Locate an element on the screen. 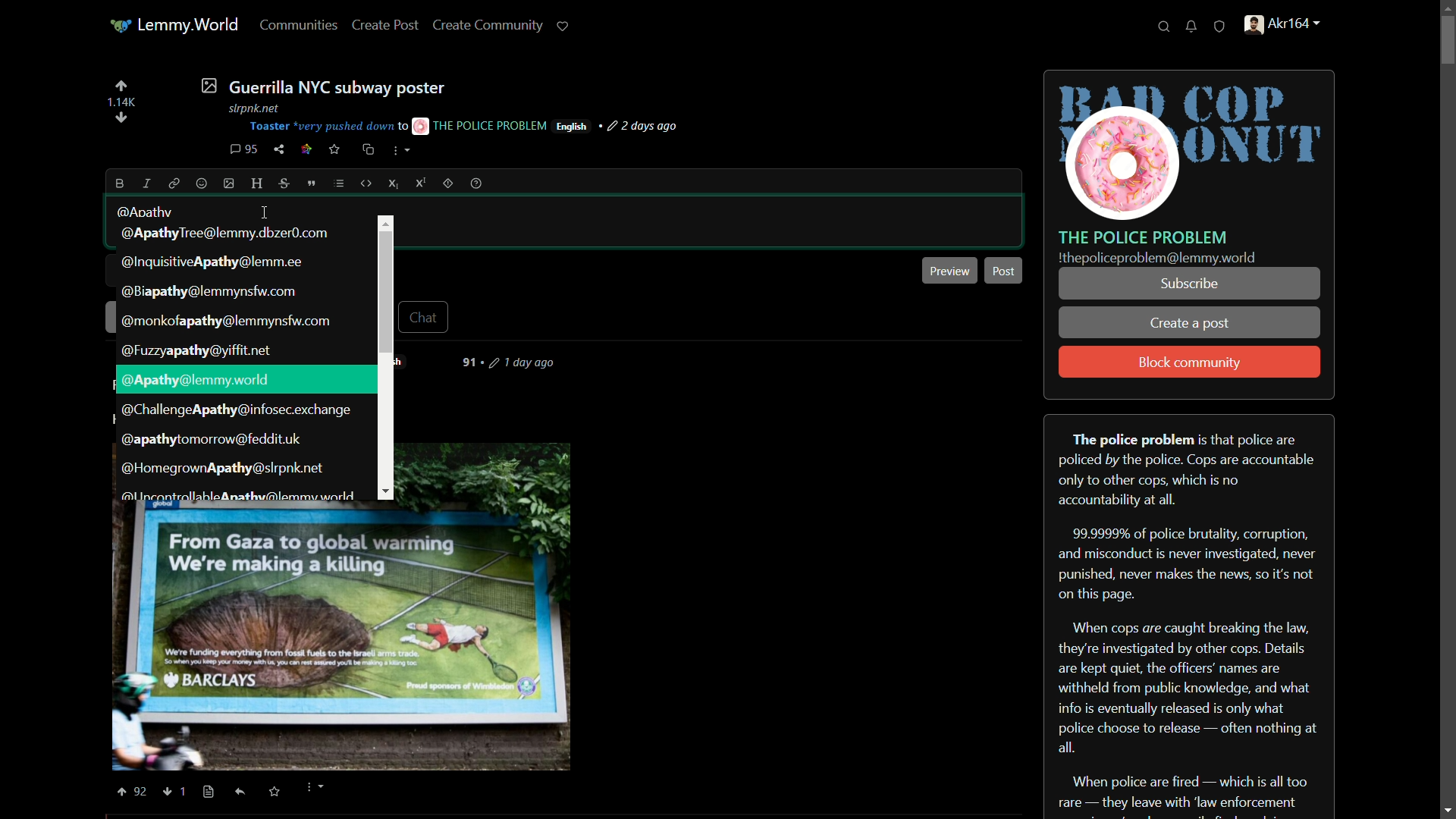 The image size is (1456, 819). THE POLICE PROBLEM is located at coordinates (481, 125).